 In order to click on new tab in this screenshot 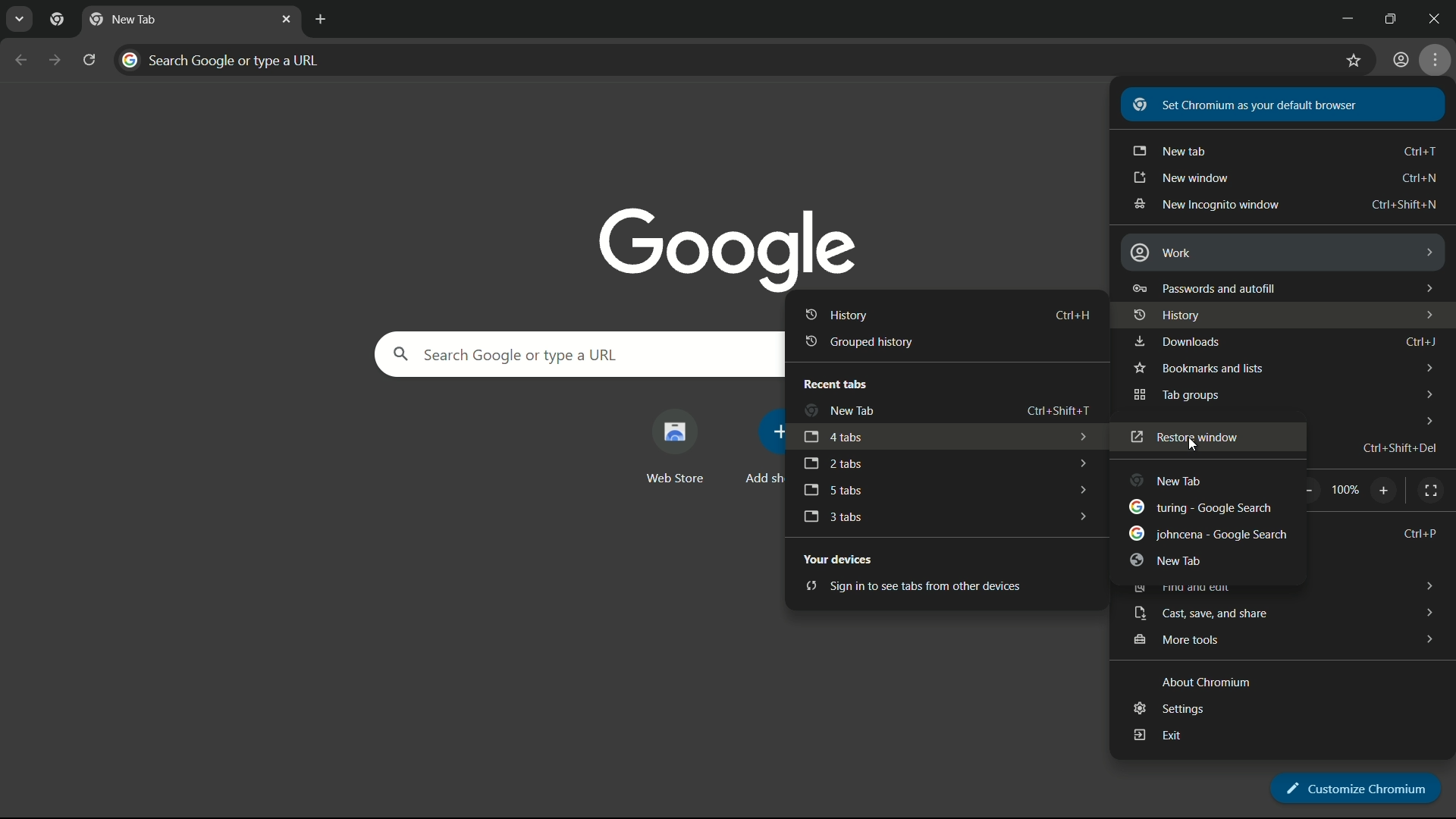, I will do `click(1172, 152)`.